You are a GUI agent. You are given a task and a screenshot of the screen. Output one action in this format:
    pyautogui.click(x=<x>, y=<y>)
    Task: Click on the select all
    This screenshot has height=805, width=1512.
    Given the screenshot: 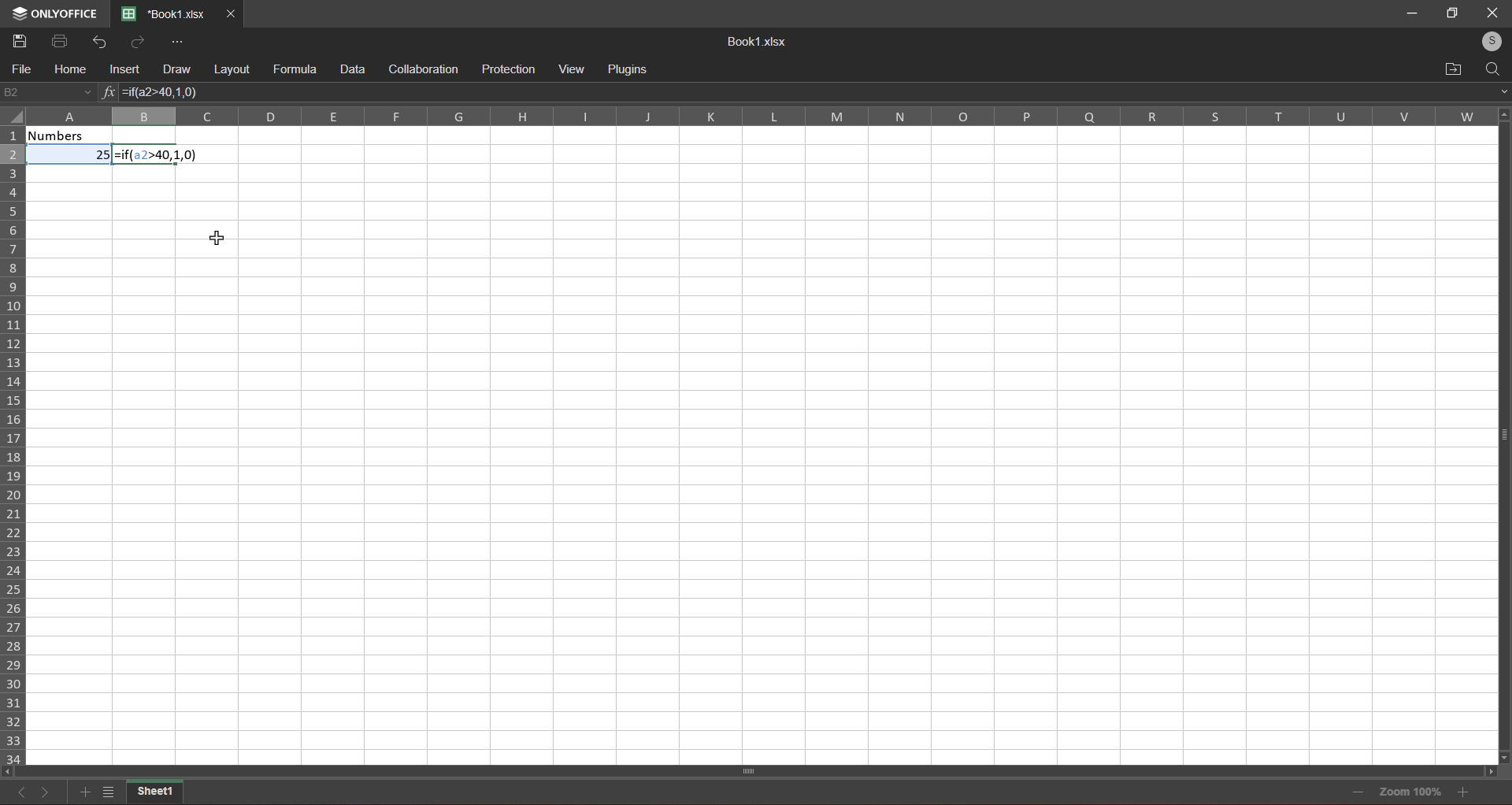 What is the action you would take?
    pyautogui.click(x=14, y=121)
    